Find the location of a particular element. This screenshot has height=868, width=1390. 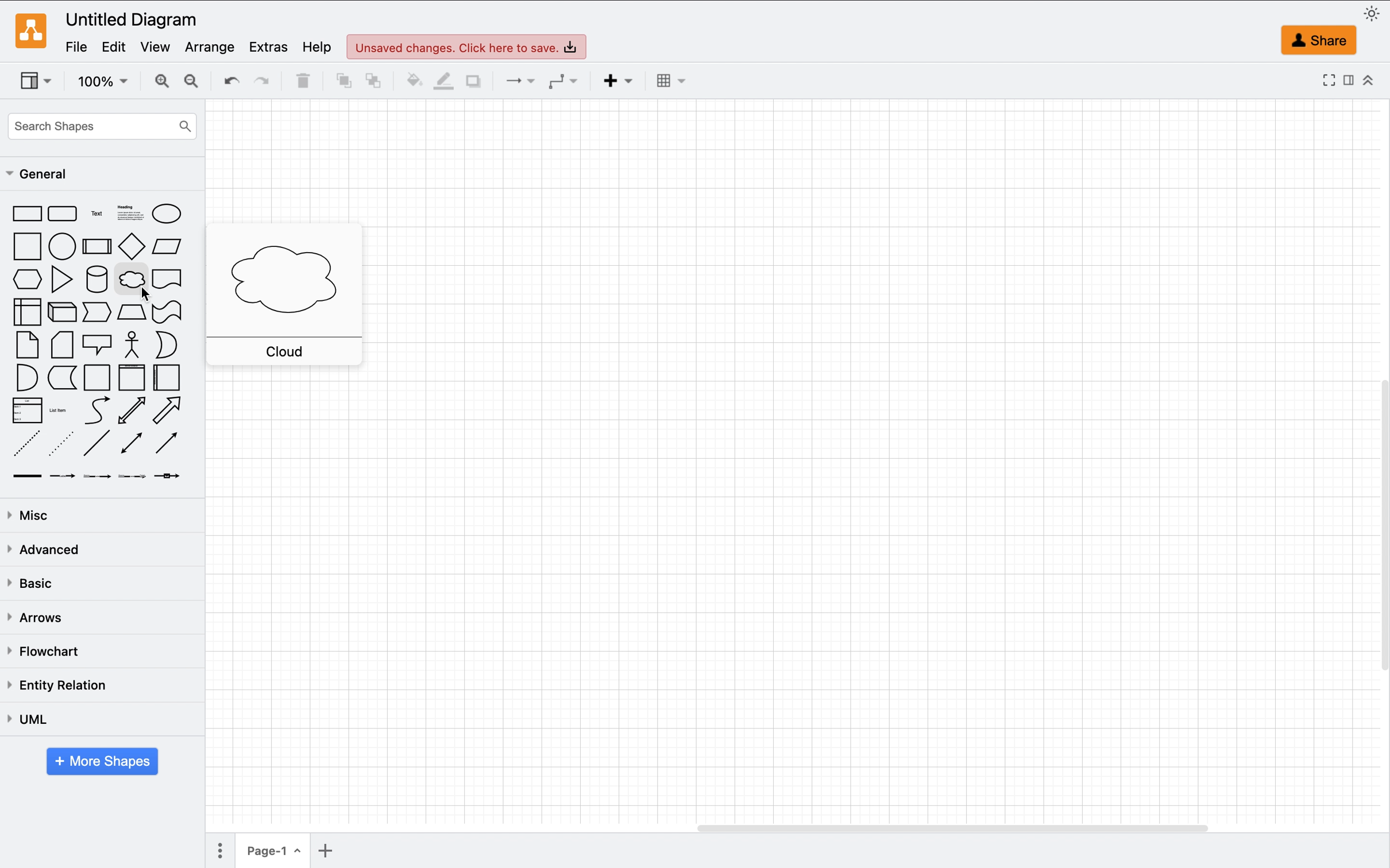

view is located at coordinates (160, 47).